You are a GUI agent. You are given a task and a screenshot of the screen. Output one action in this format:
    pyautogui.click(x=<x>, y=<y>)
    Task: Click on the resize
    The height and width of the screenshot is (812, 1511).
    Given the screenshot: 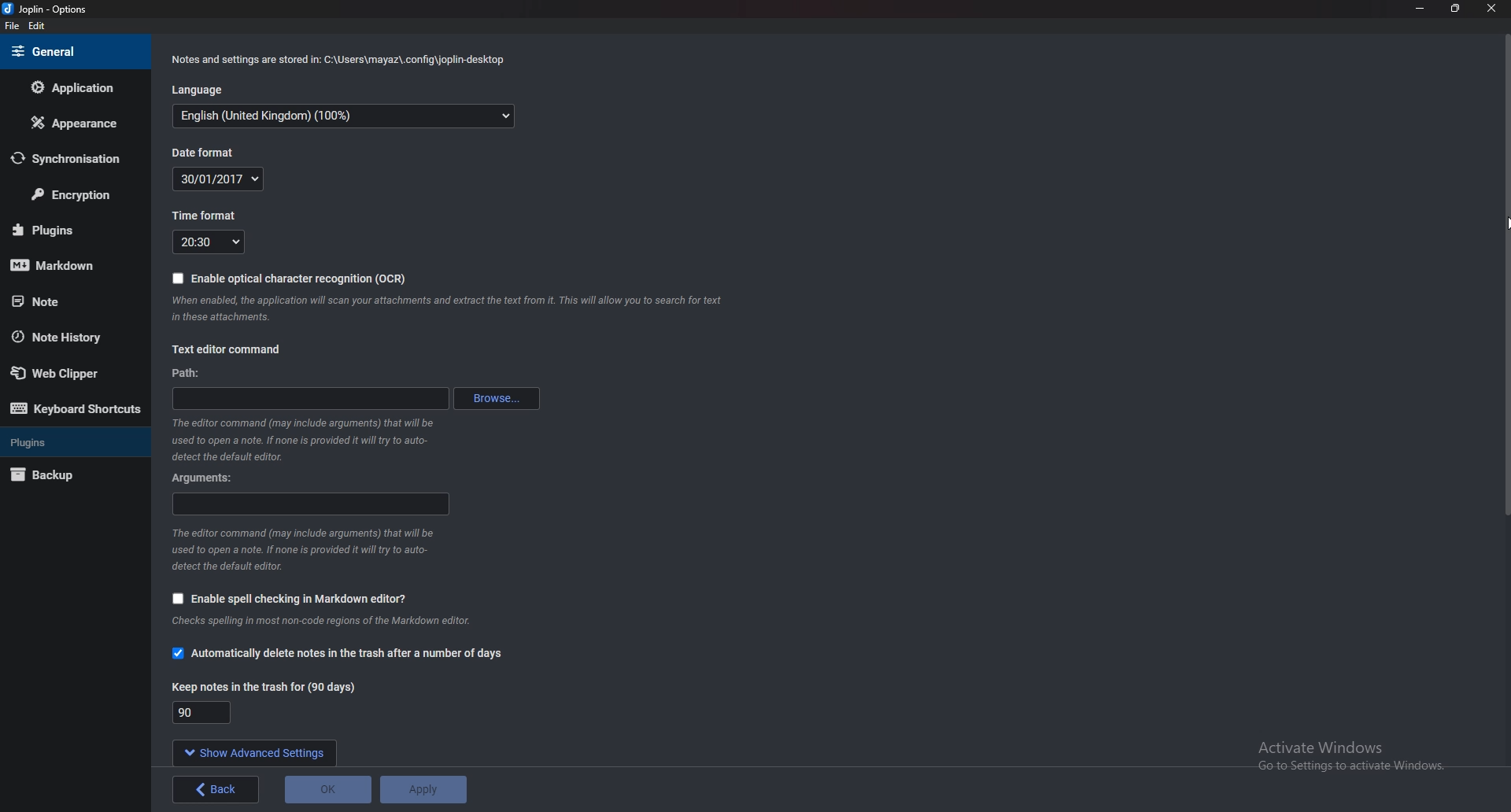 What is the action you would take?
    pyautogui.click(x=1454, y=8)
    